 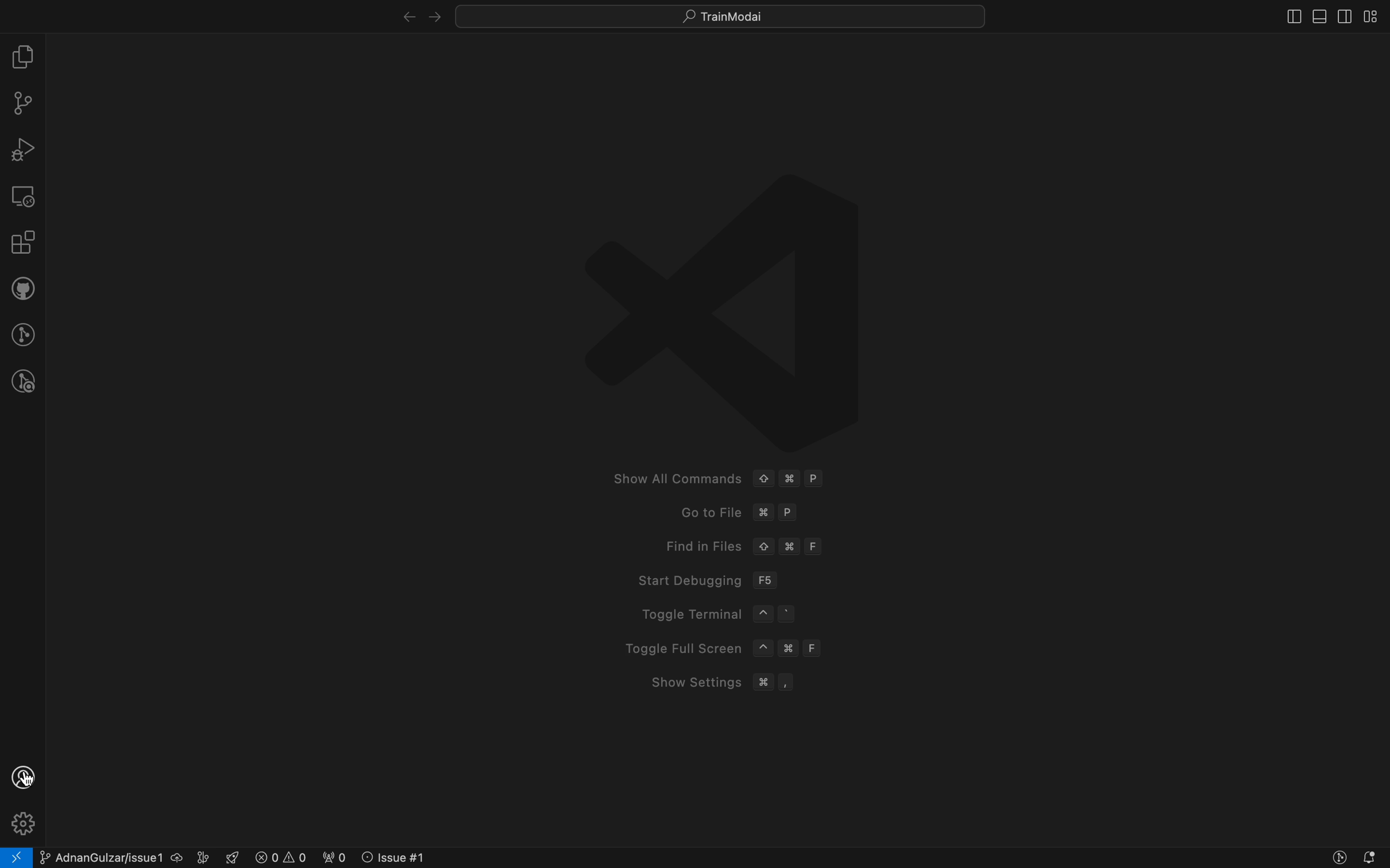 I want to click on current branch and issue, so click(x=126, y=857).